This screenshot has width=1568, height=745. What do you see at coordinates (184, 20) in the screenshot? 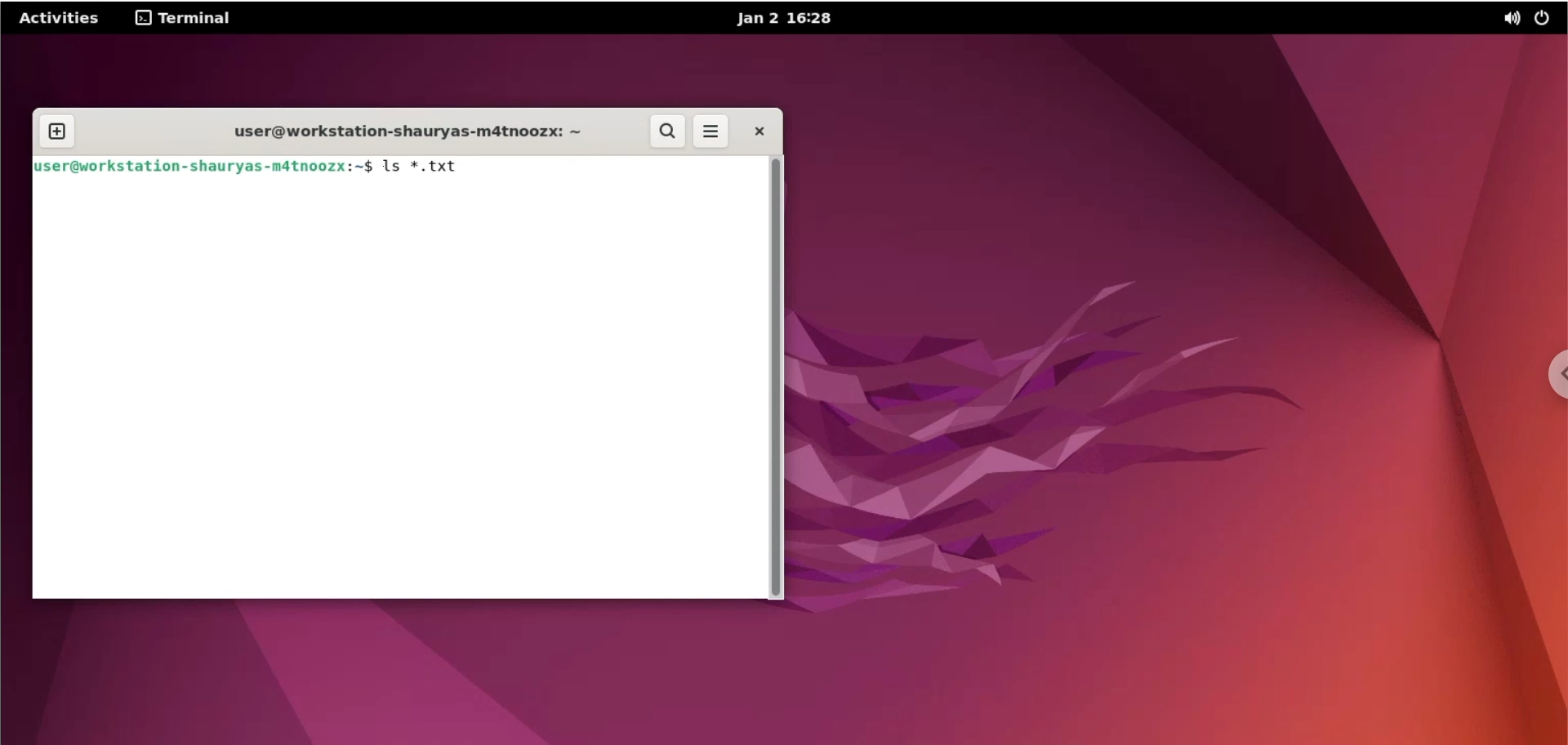
I see `terminal` at bounding box center [184, 20].